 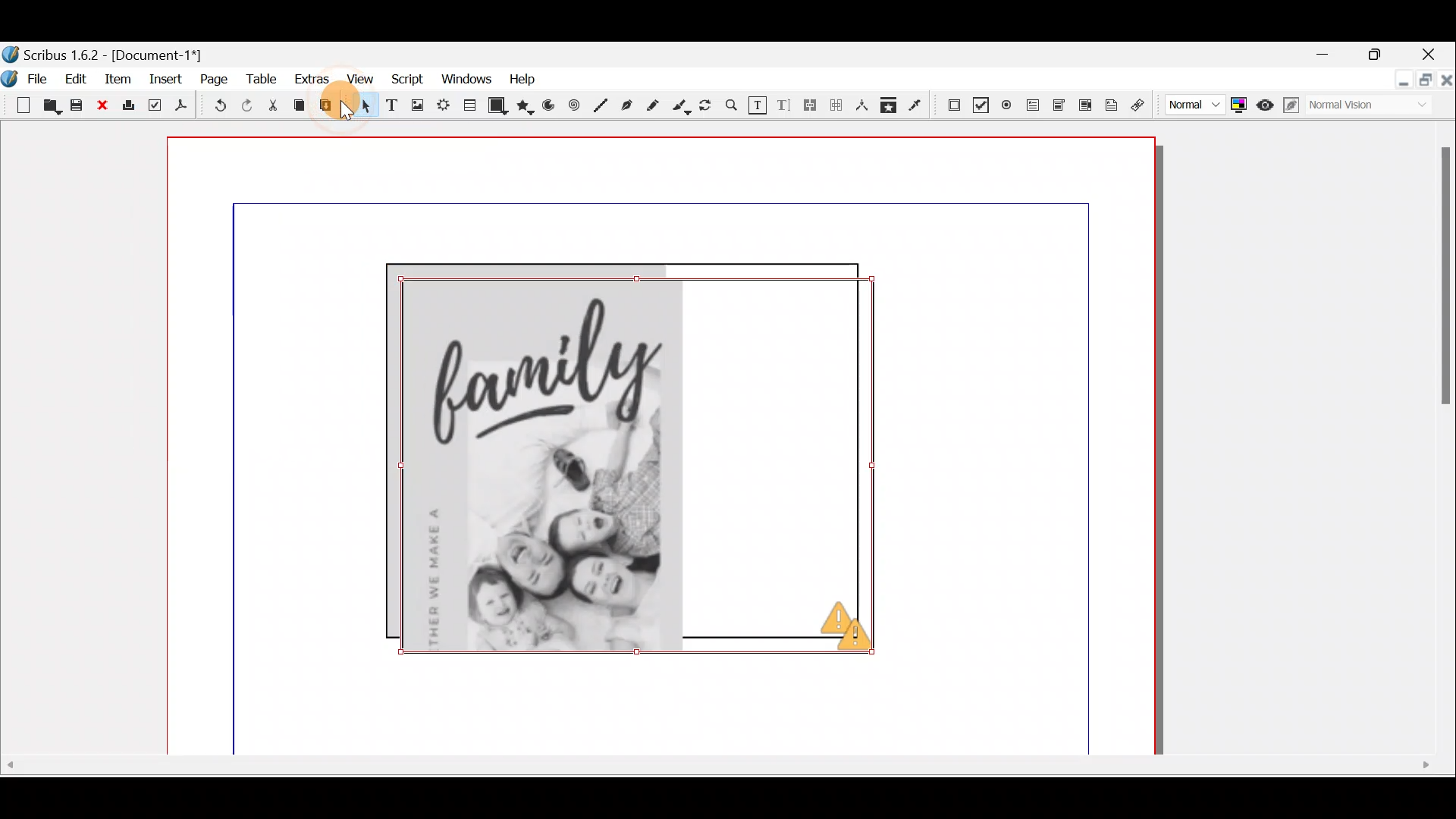 What do you see at coordinates (519, 79) in the screenshot?
I see `Help` at bounding box center [519, 79].